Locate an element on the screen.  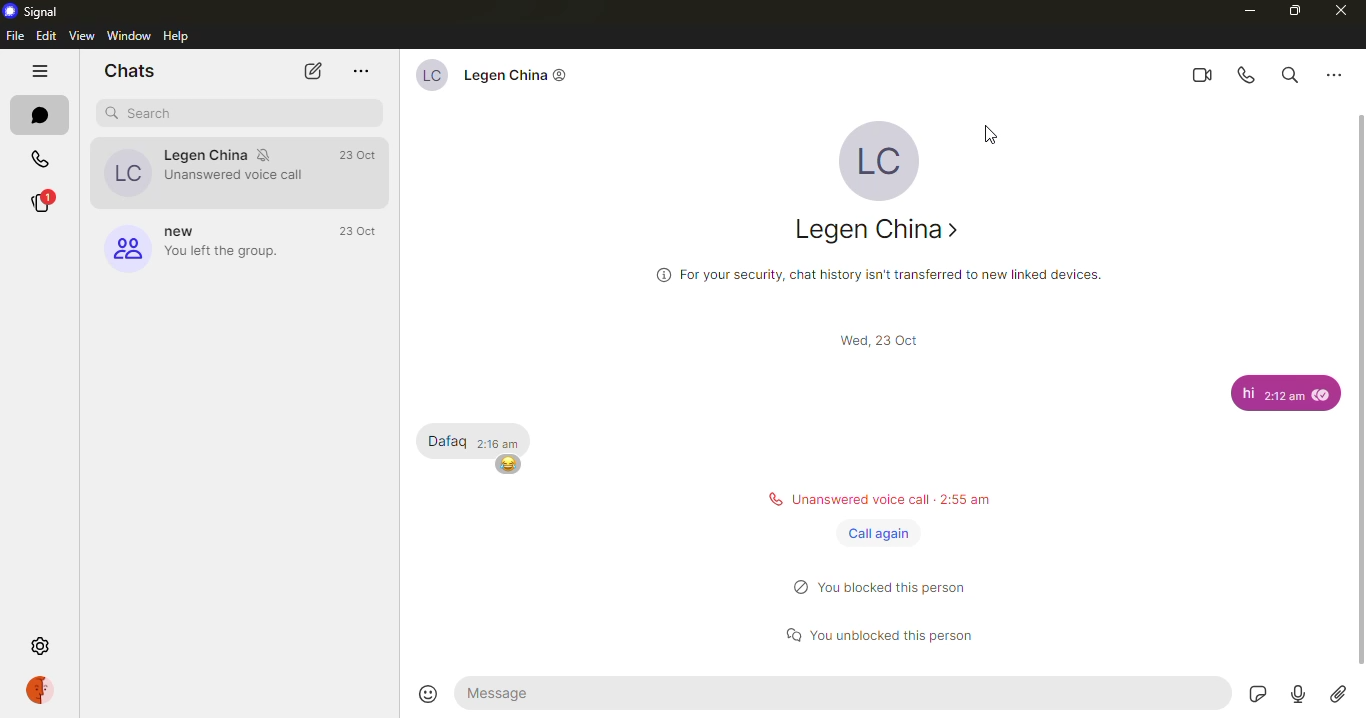
time is located at coordinates (1283, 396).